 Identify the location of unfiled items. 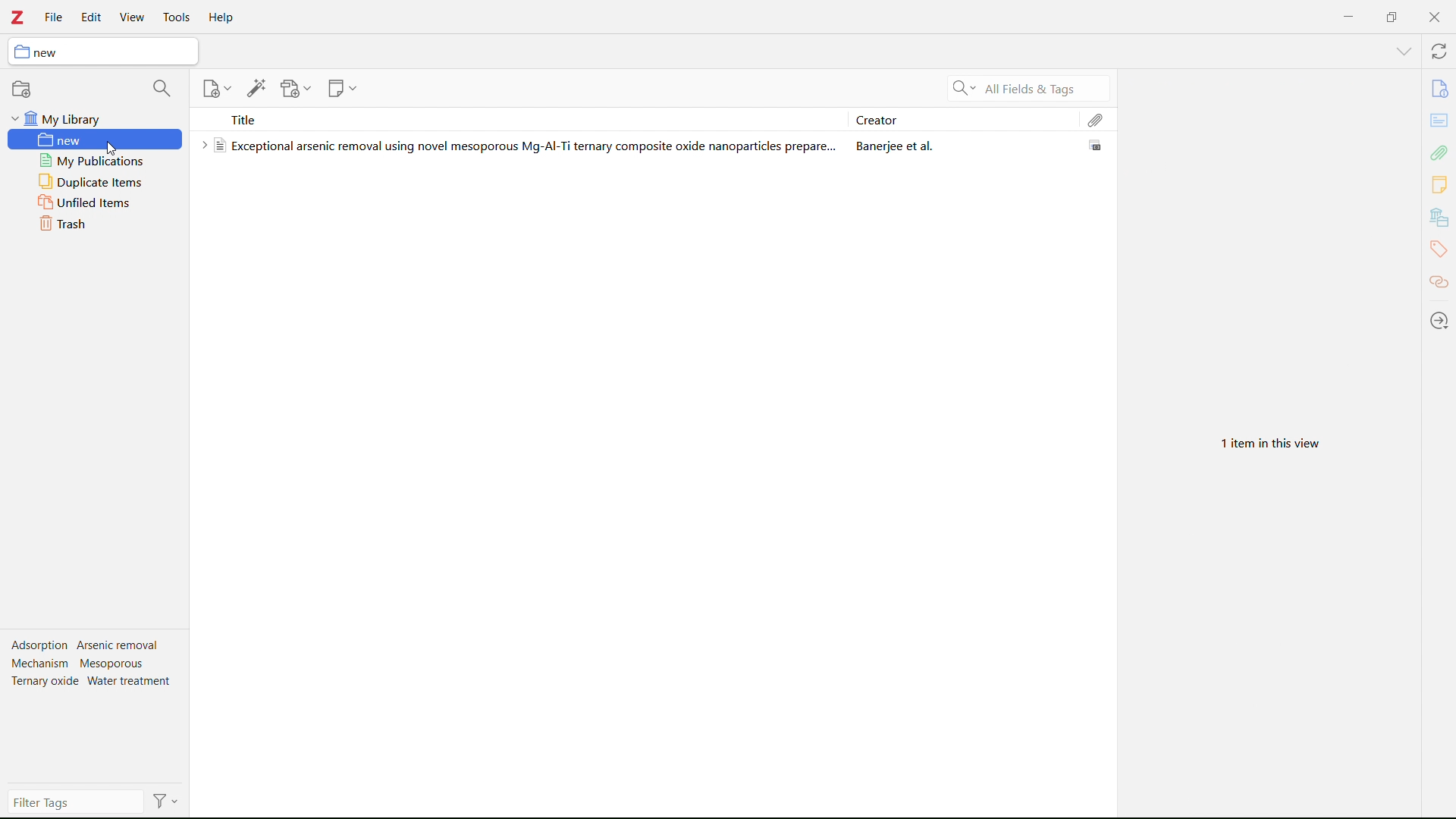
(96, 203).